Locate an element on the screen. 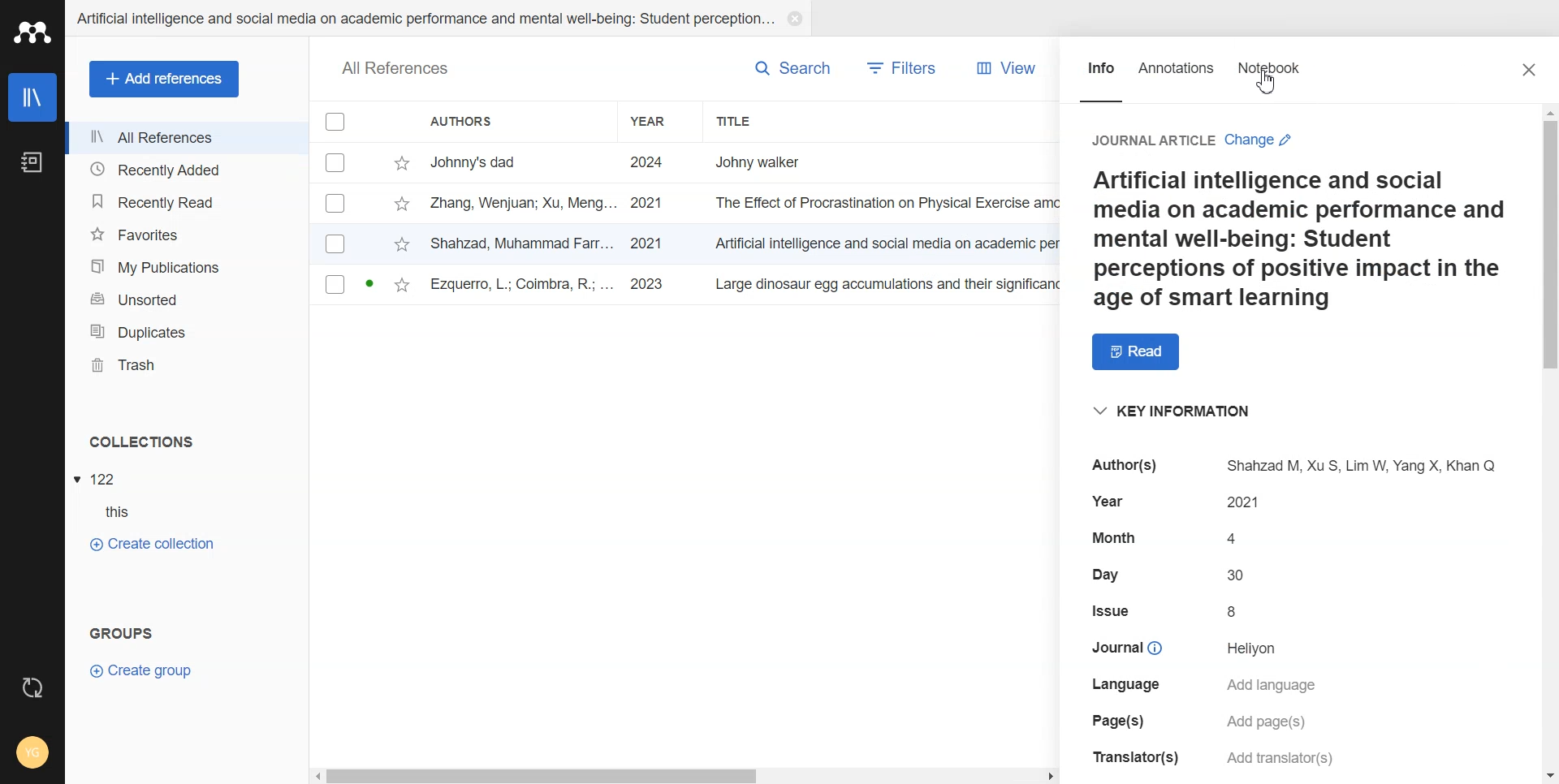  Notebook is located at coordinates (31, 163).